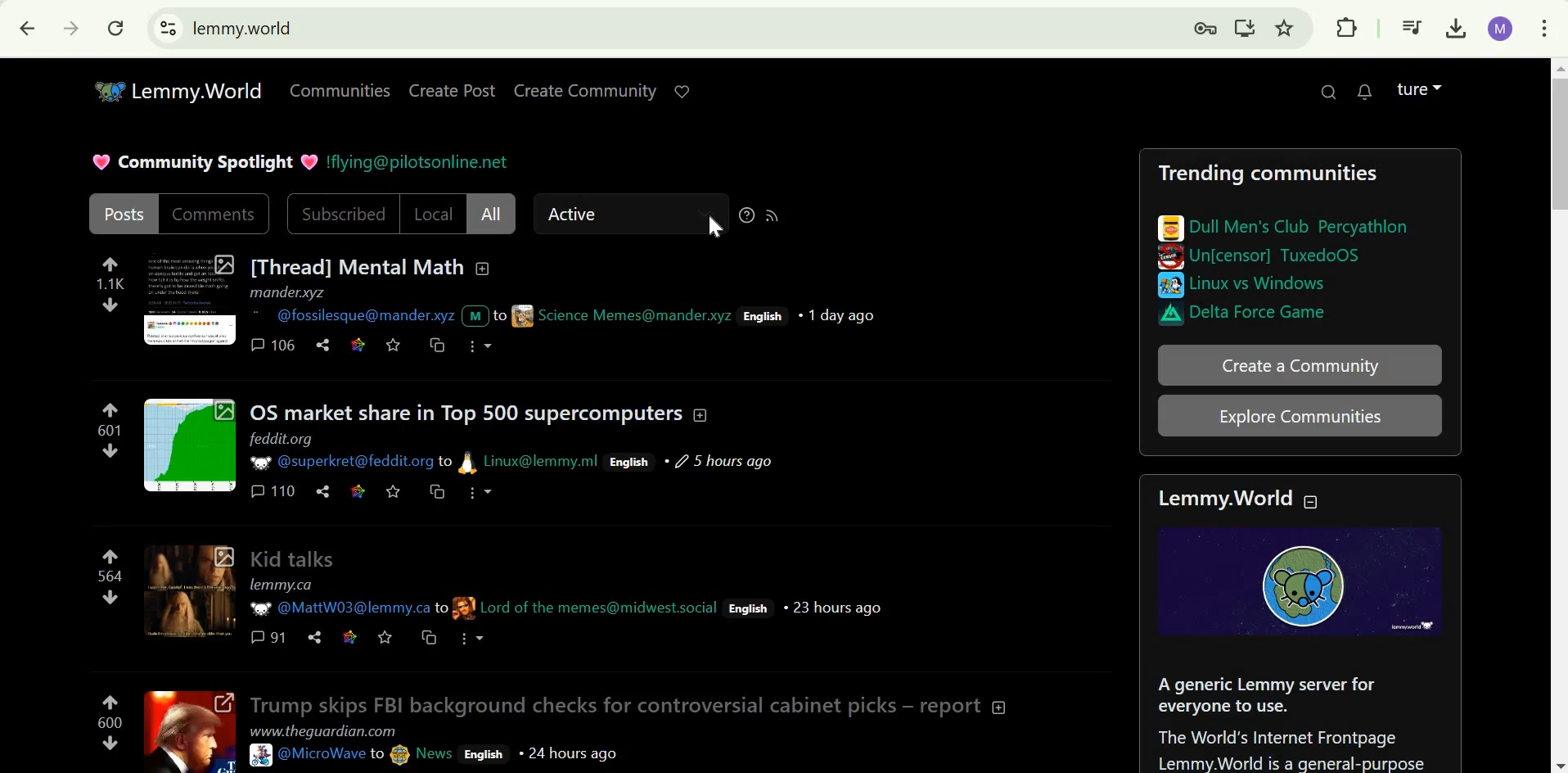  I want to click on Expand, so click(190, 299).